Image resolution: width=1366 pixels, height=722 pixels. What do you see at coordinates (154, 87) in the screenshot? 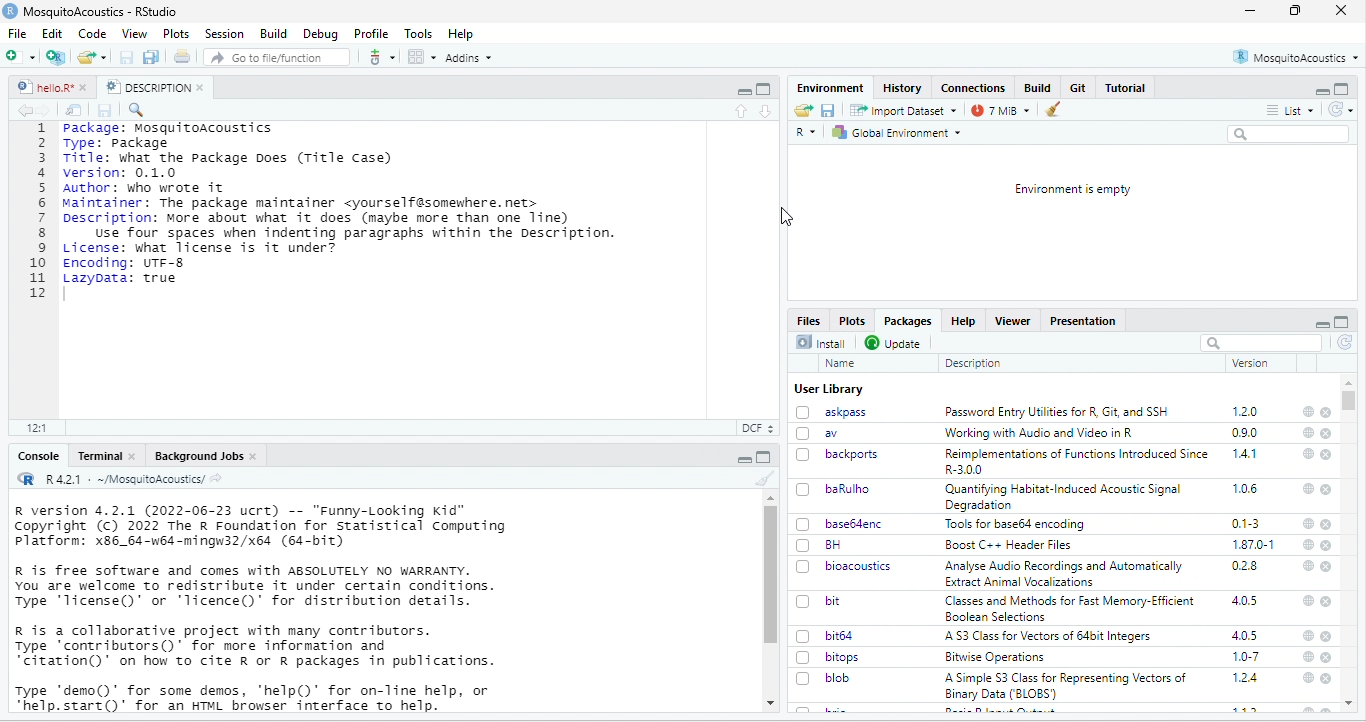
I see `DESCRIPTION` at bounding box center [154, 87].